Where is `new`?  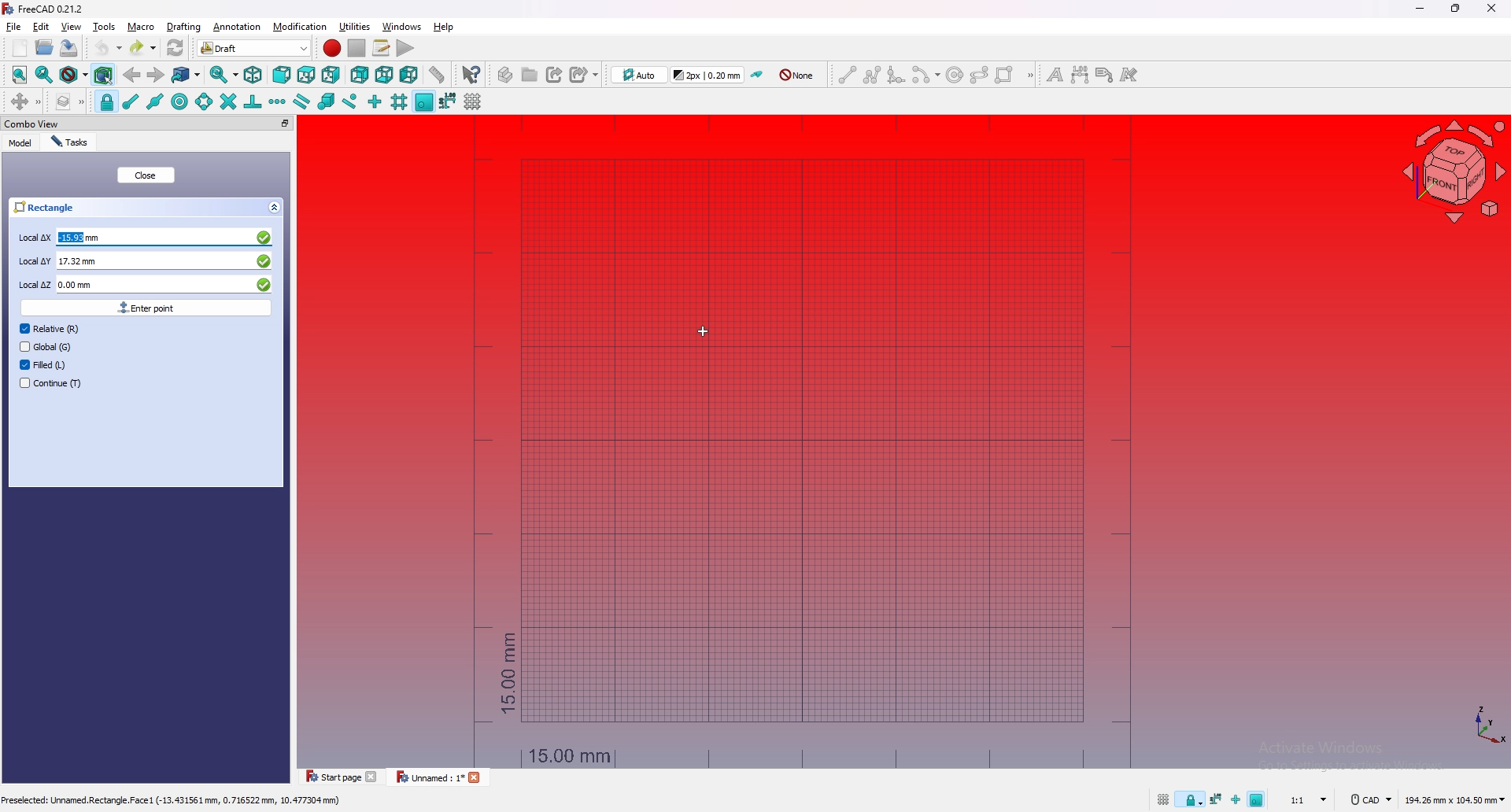
new is located at coordinates (20, 48).